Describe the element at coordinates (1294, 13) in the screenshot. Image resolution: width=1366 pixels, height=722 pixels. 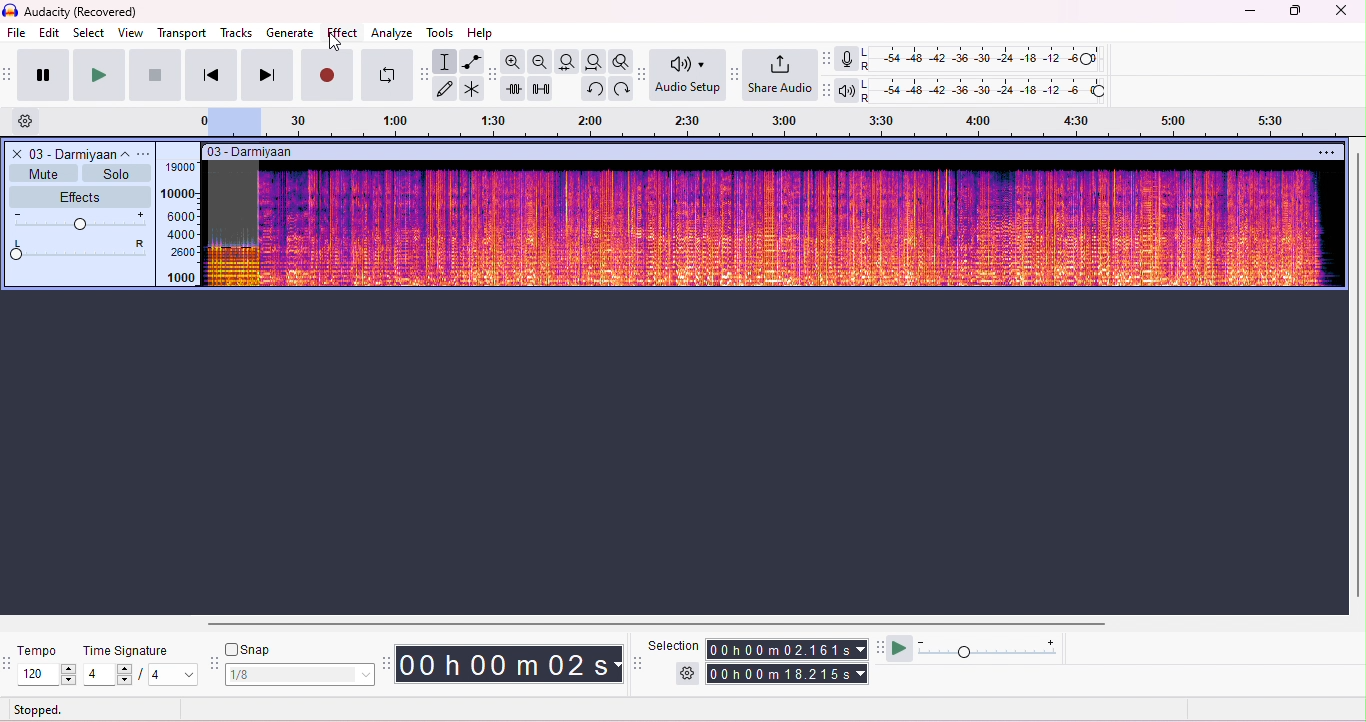
I see `maximize` at that location.